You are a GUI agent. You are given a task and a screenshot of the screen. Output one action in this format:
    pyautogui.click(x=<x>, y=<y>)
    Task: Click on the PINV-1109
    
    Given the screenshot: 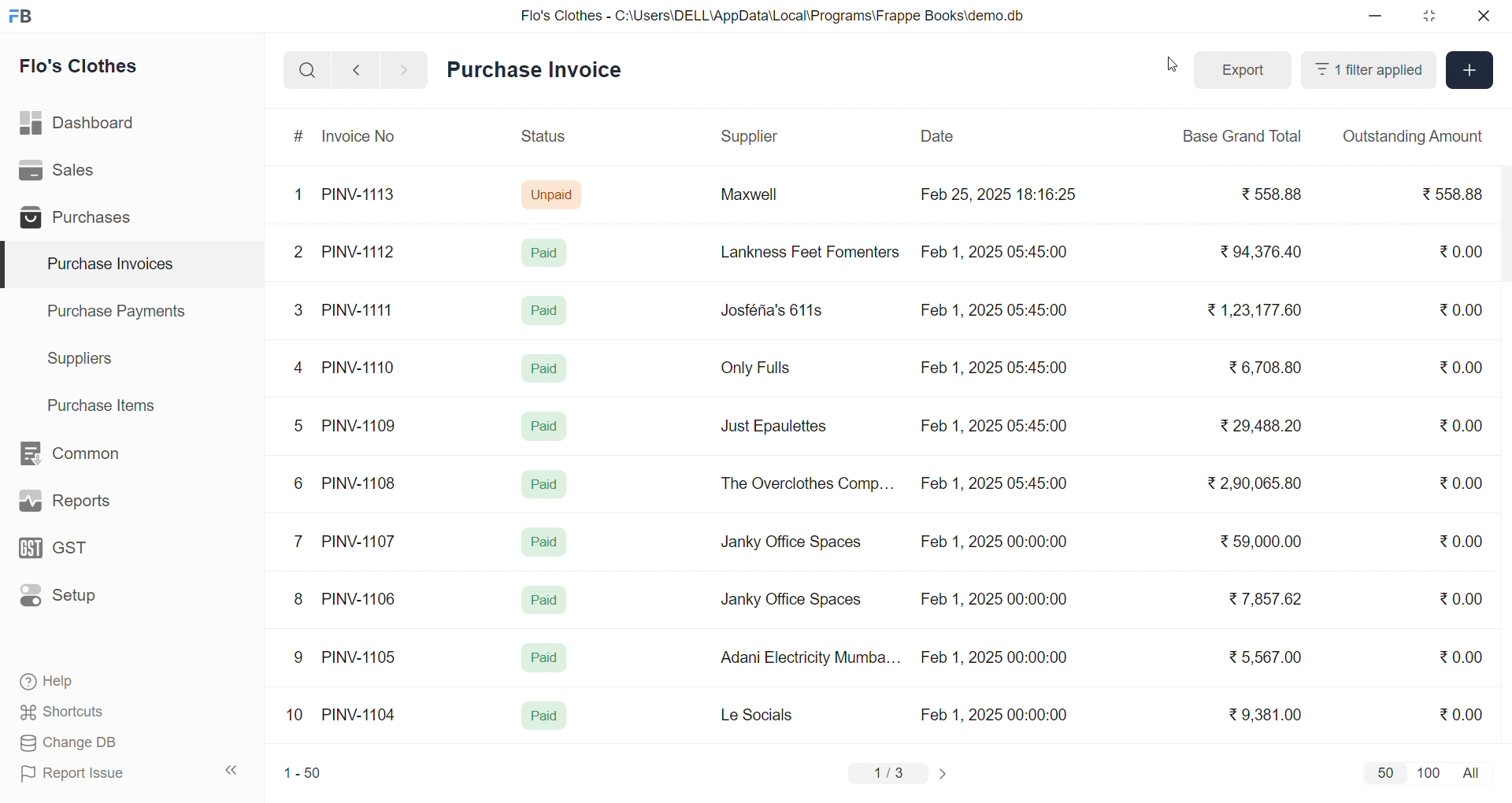 What is the action you would take?
    pyautogui.click(x=361, y=425)
    